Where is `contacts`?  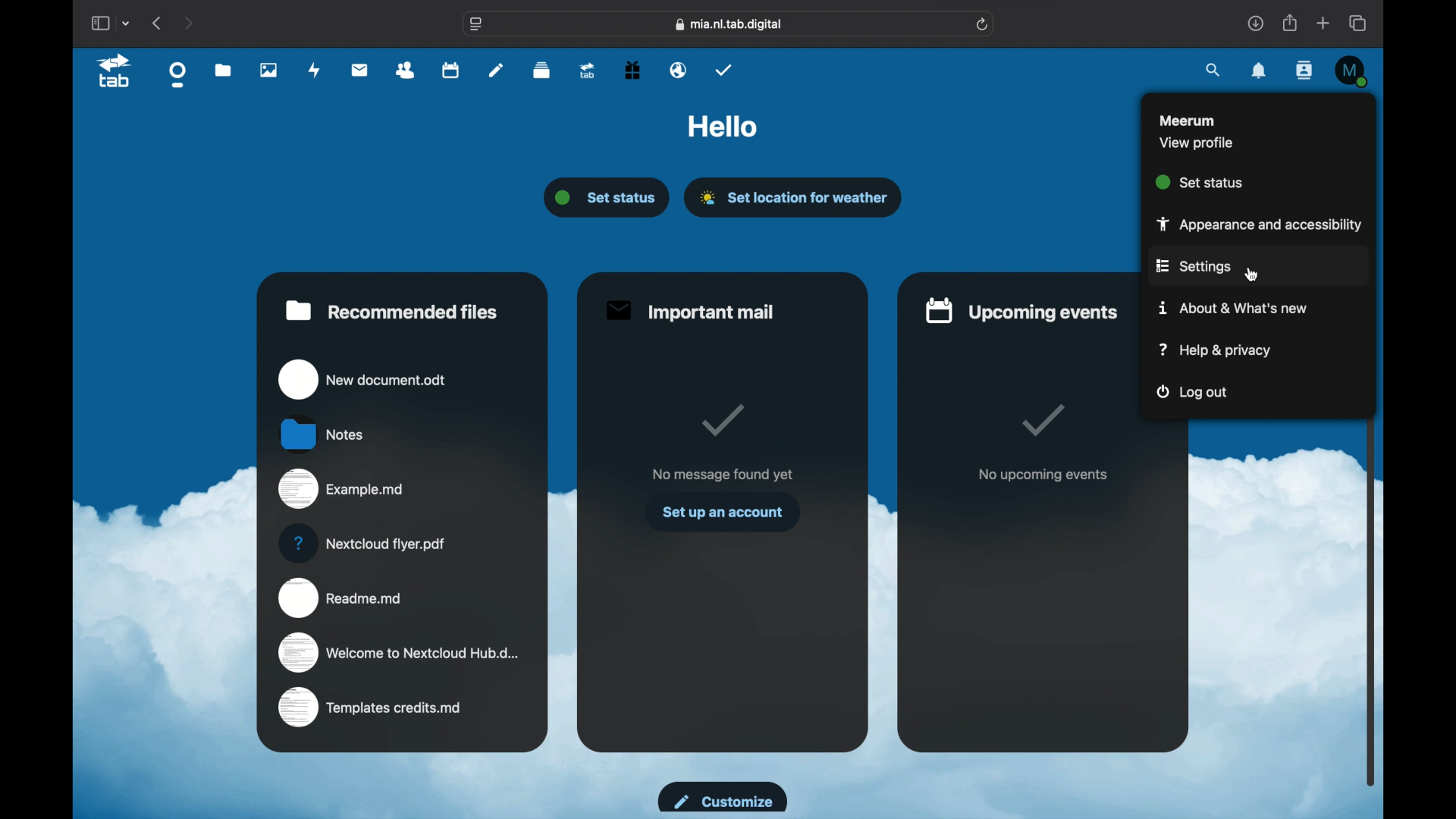 contacts is located at coordinates (1303, 70).